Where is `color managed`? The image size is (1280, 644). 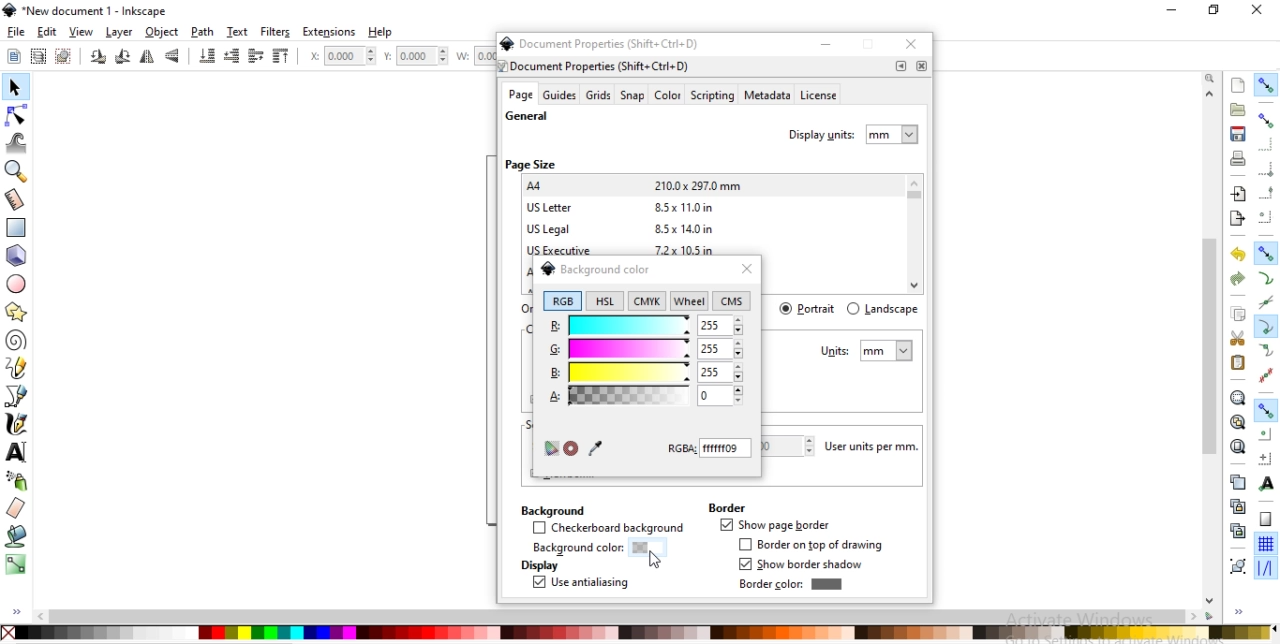
color managed is located at coordinates (550, 449).